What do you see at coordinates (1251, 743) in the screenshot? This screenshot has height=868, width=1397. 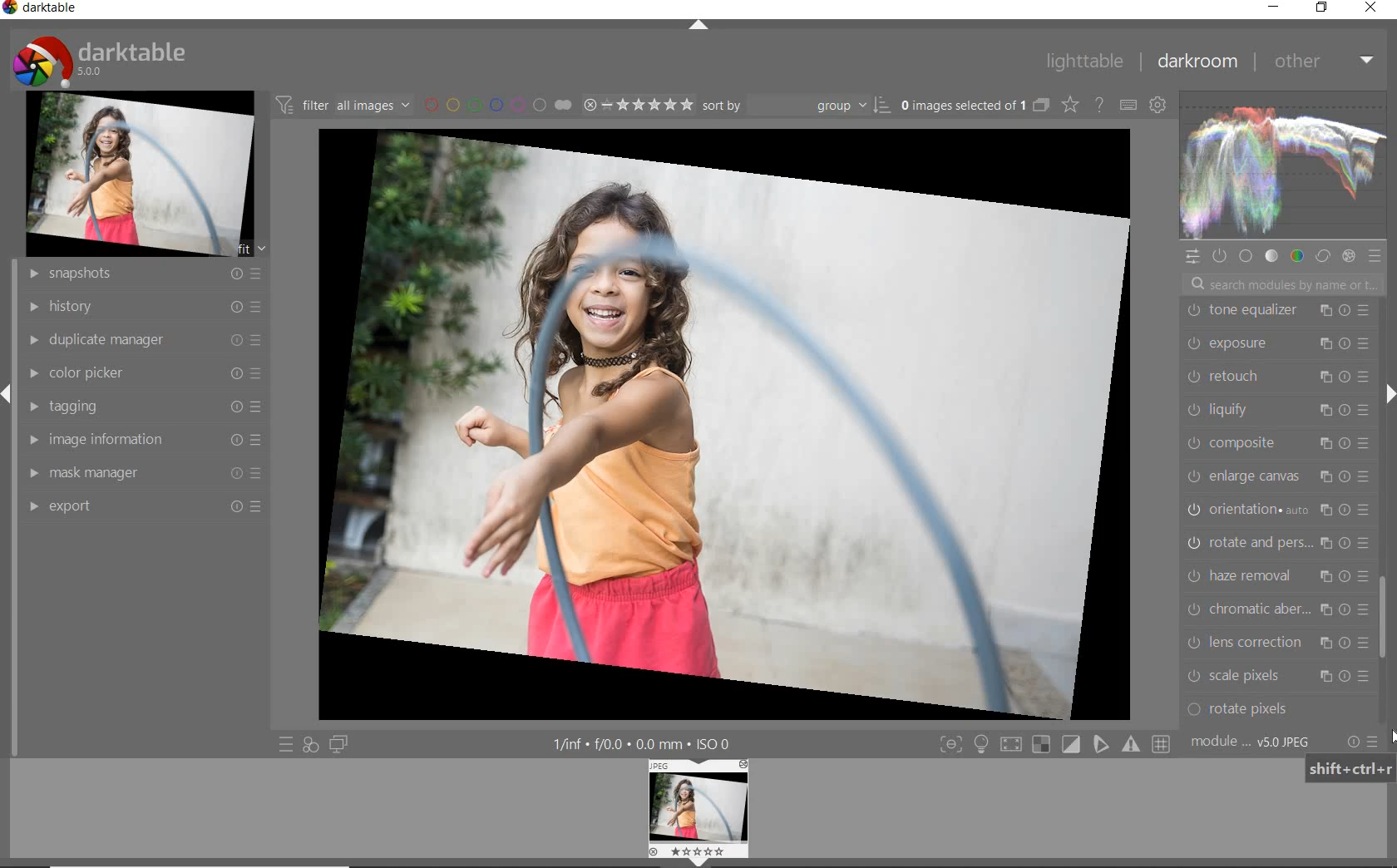 I see `module order` at bounding box center [1251, 743].